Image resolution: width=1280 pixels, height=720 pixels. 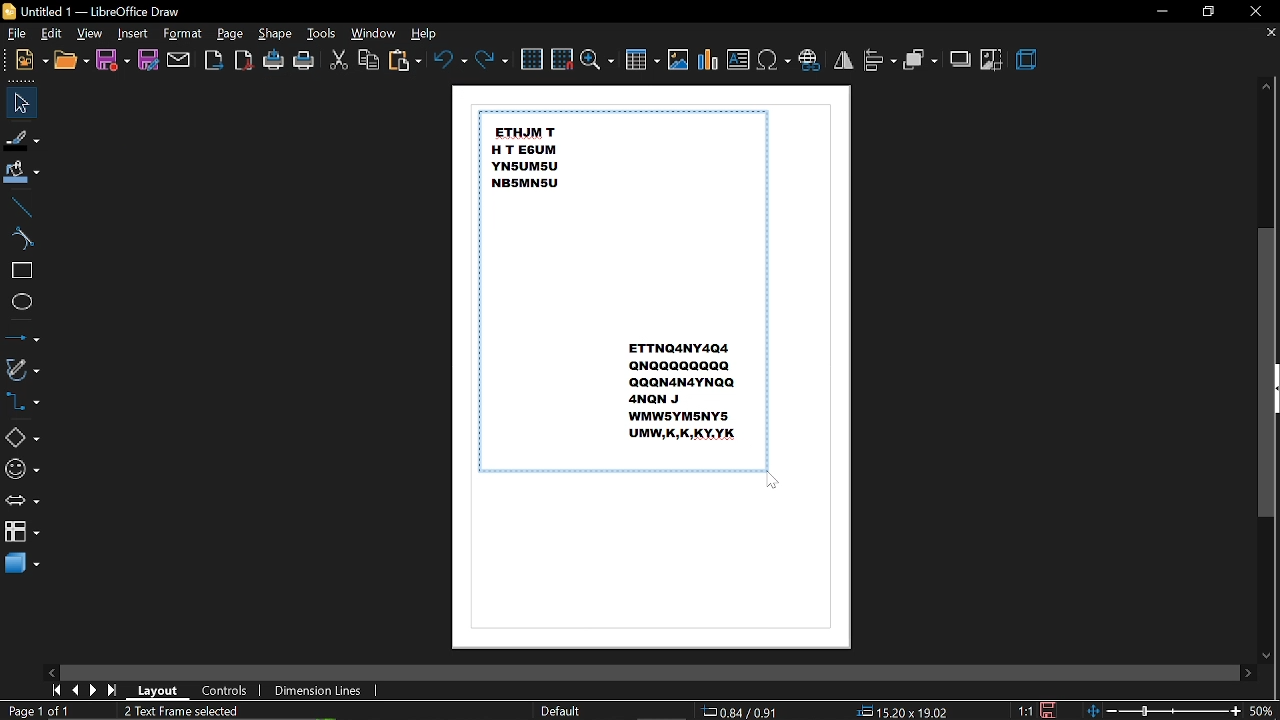 I want to click on view, so click(x=90, y=34).